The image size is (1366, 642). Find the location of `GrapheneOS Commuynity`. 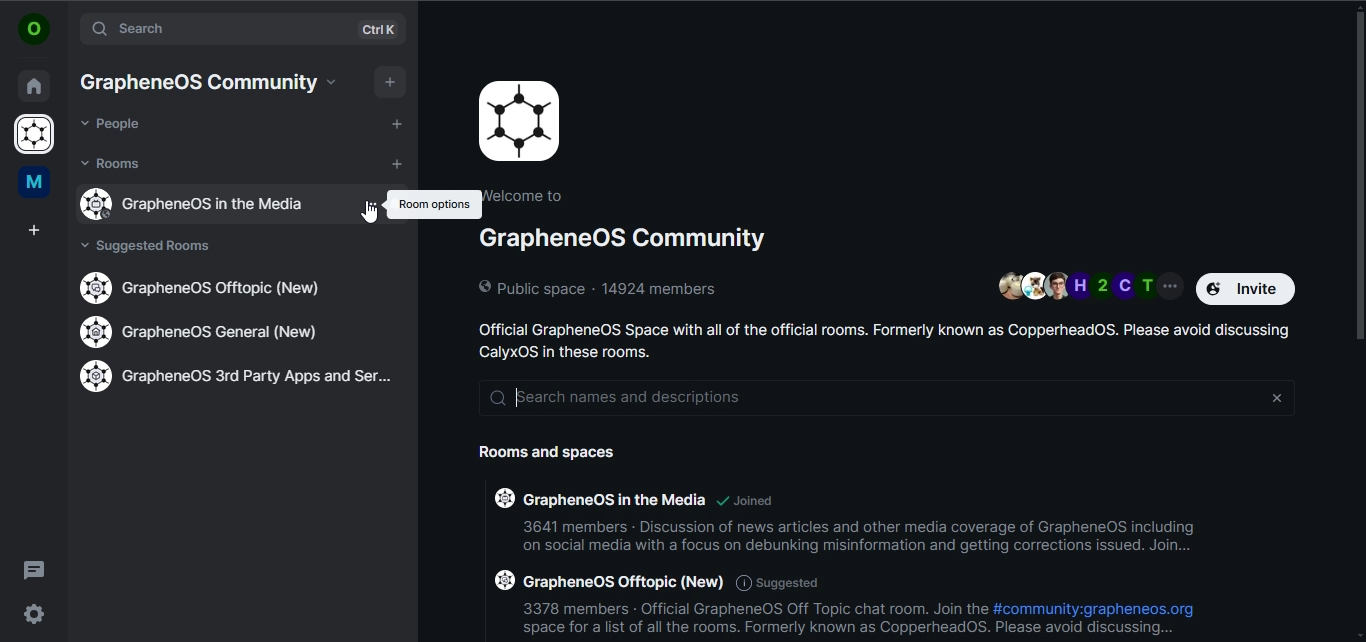

GrapheneOS Commuynity is located at coordinates (197, 82).